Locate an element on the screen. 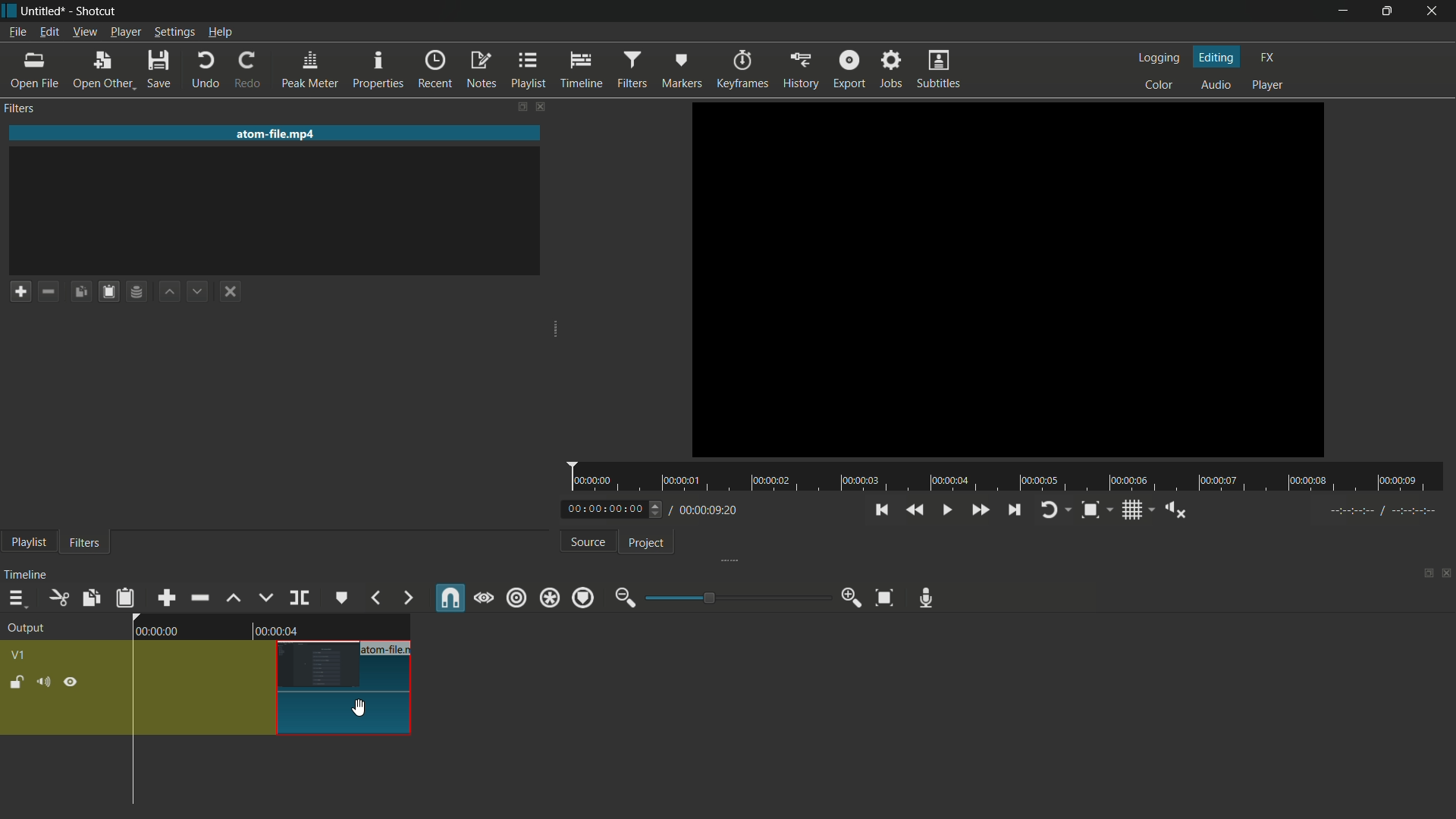 The image size is (1456, 819). deselect the i=filter is located at coordinates (231, 291).